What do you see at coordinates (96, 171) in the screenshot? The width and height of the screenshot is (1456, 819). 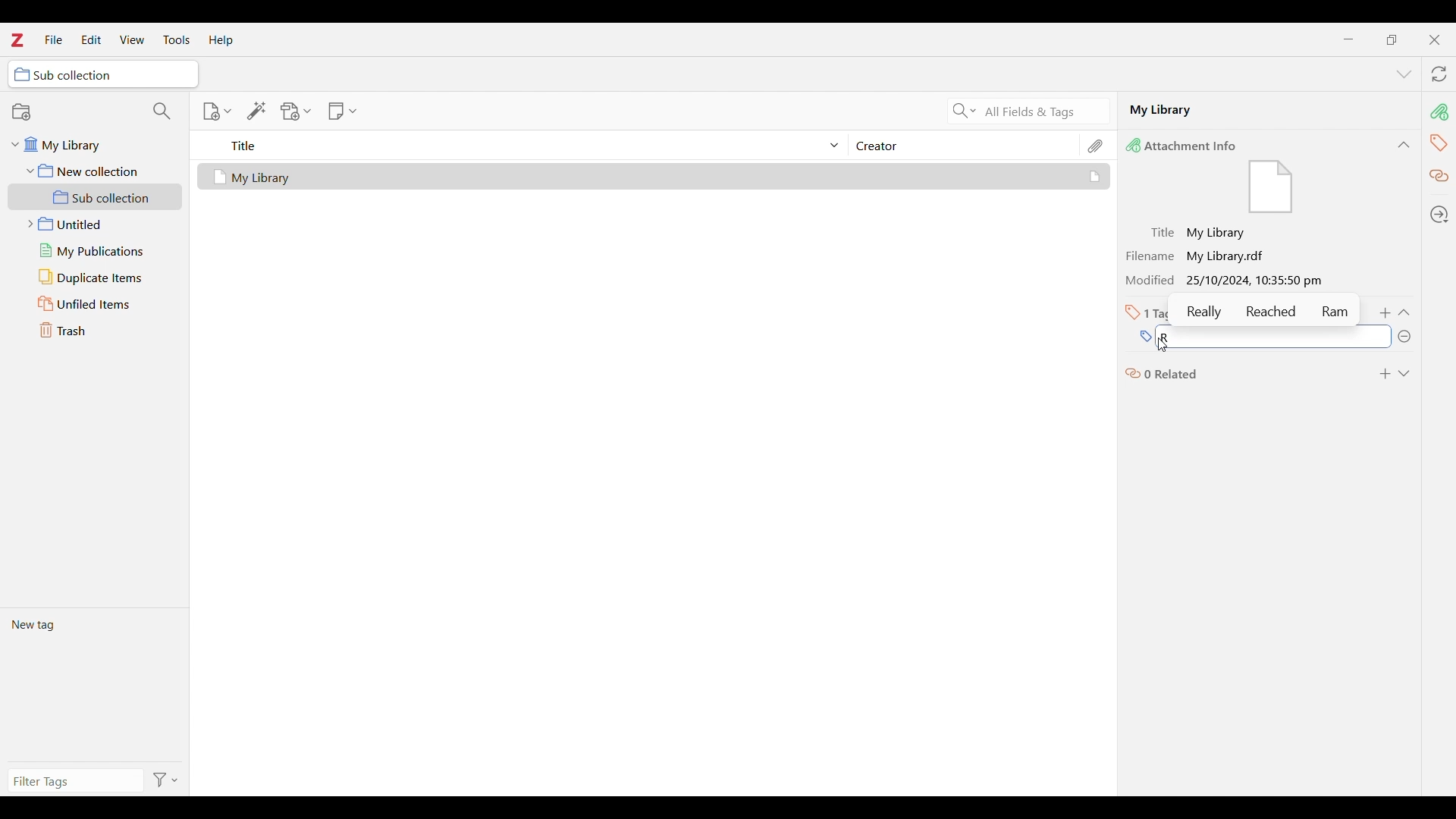 I see `New collection folder` at bounding box center [96, 171].